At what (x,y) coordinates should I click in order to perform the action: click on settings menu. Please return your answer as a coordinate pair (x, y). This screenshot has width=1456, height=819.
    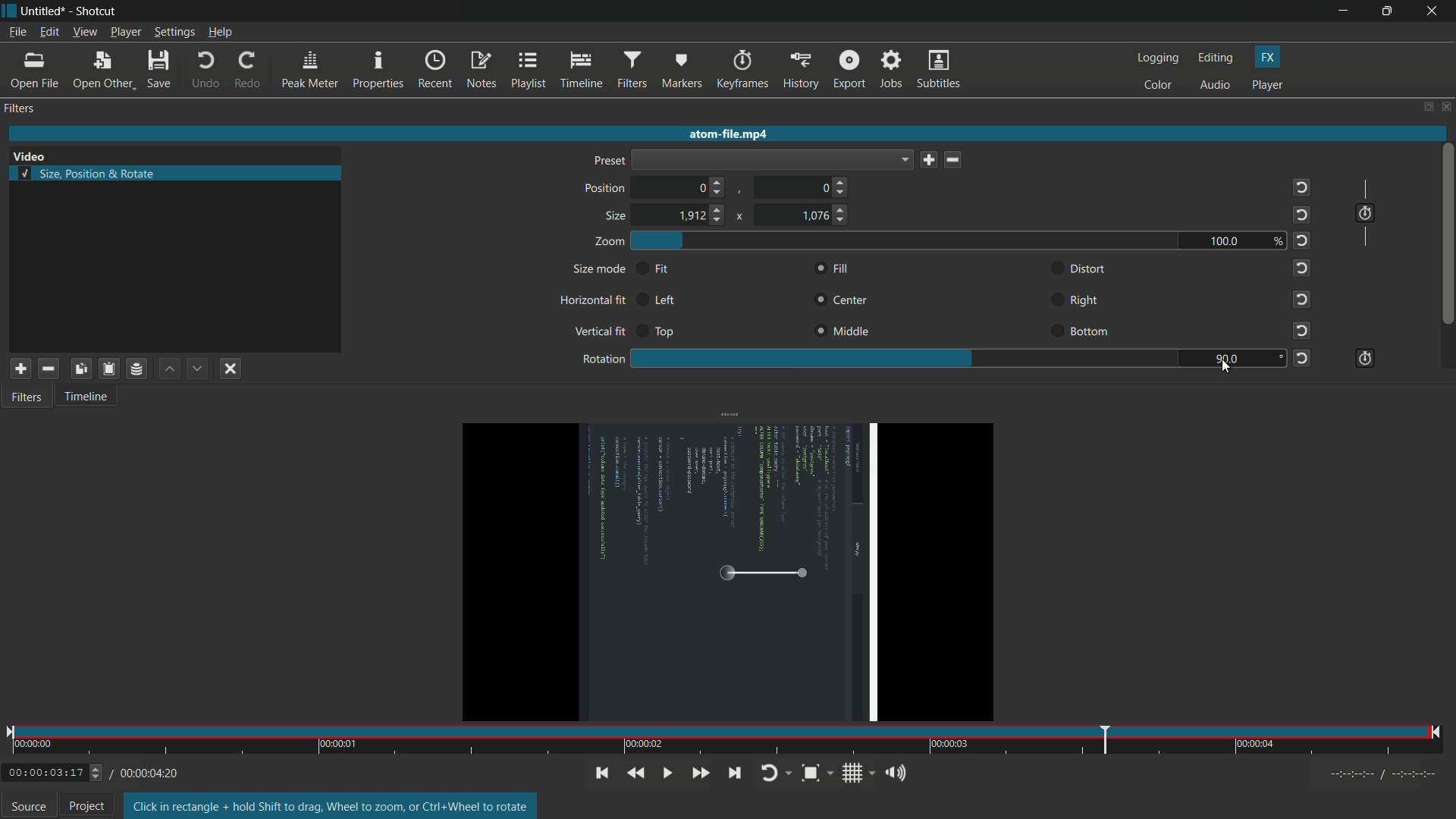
    Looking at the image, I should click on (174, 33).